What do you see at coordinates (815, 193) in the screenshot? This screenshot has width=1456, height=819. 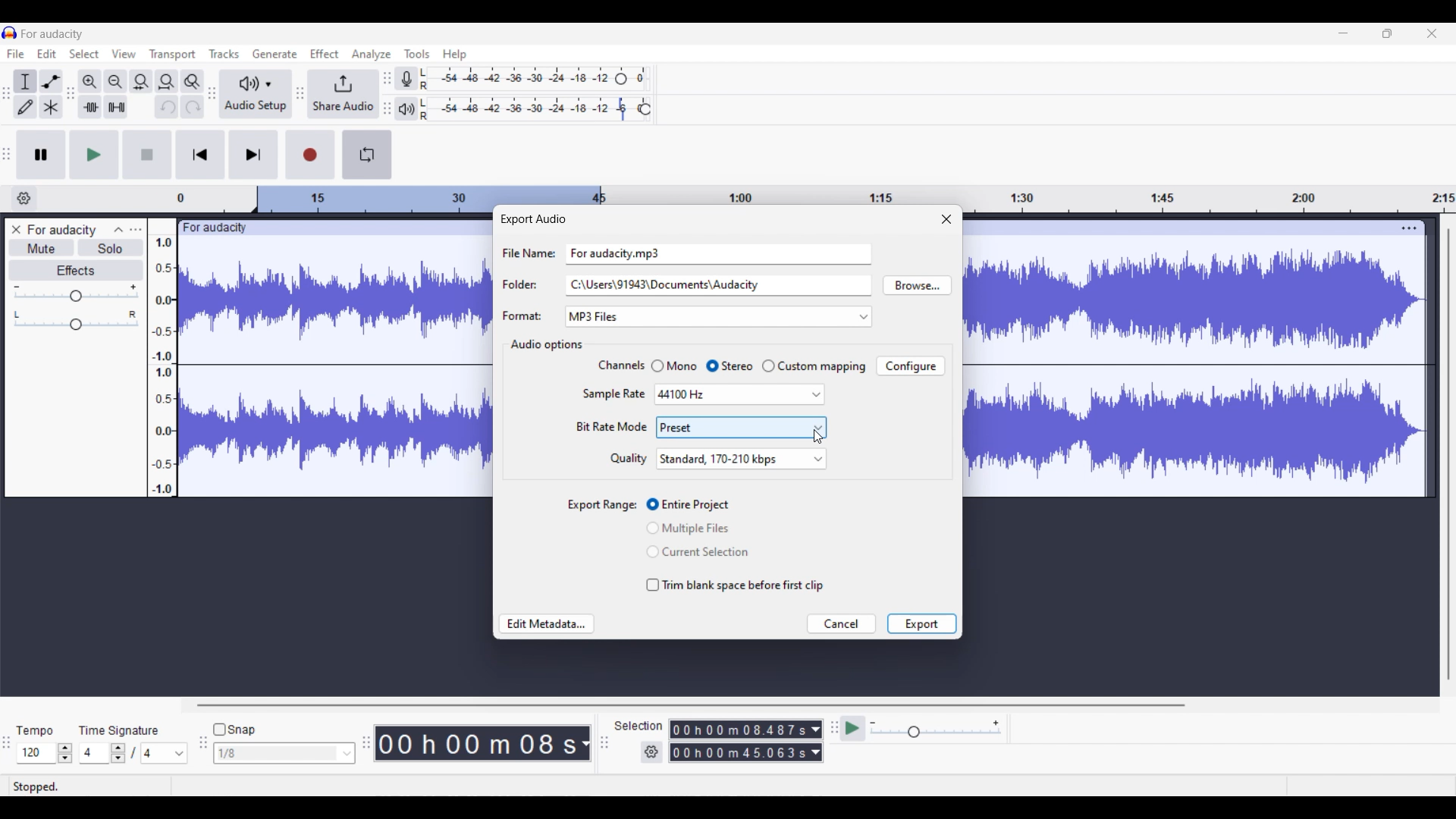 I see `Scale to measure length of track` at bounding box center [815, 193].